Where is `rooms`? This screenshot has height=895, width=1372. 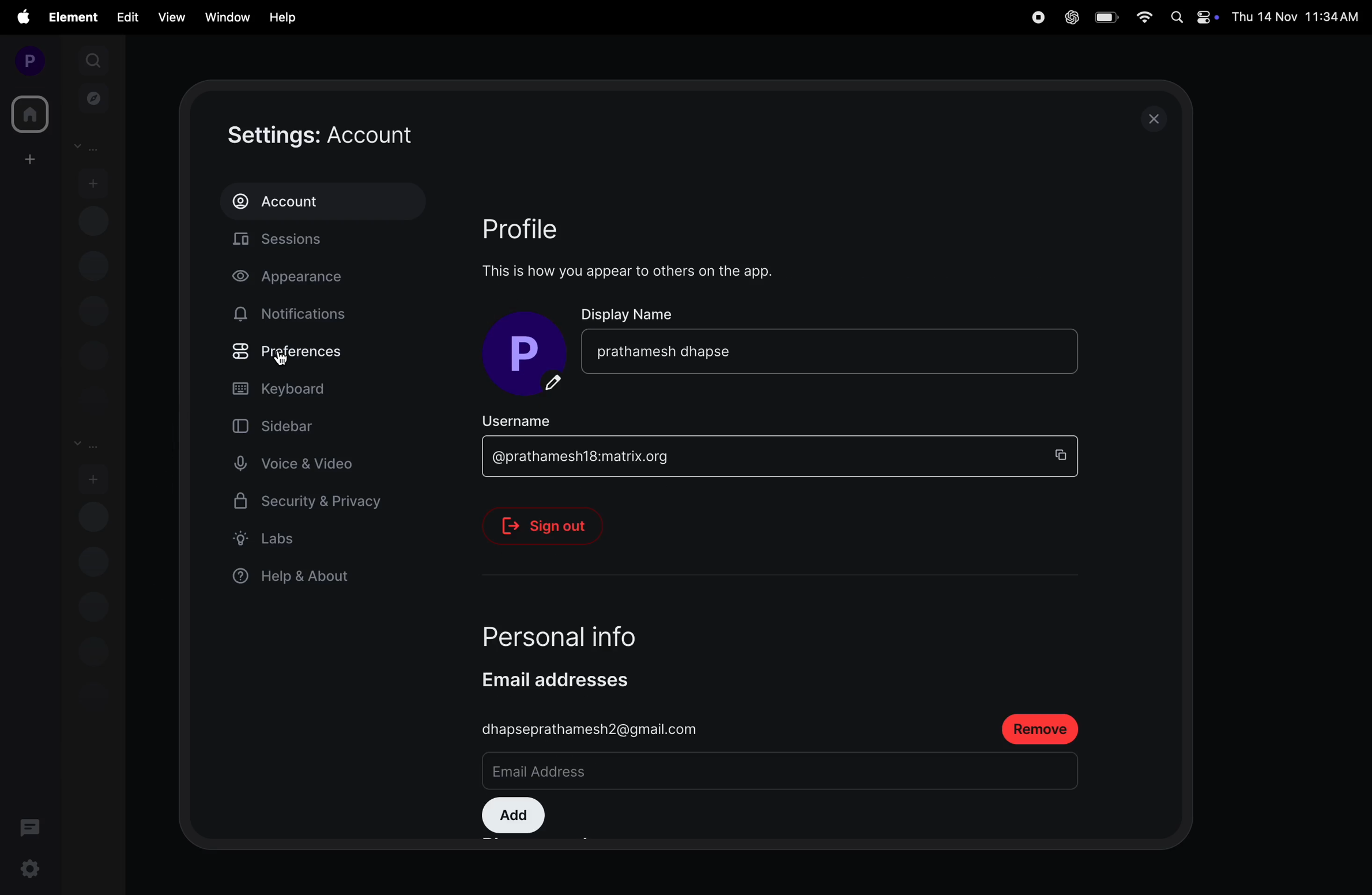
rooms is located at coordinates (86, 446).